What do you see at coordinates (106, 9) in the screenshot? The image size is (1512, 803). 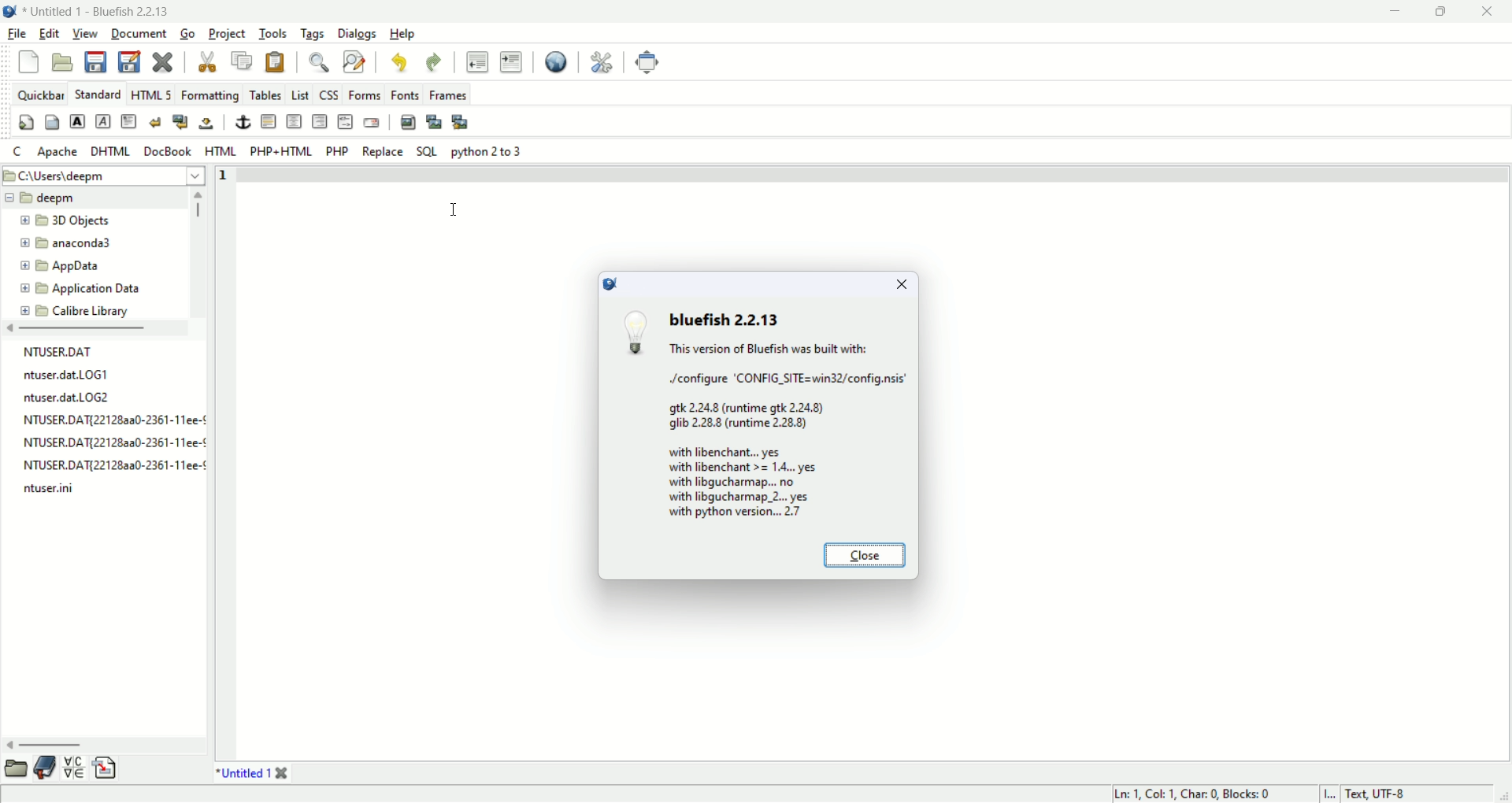 I see `document name` at bounding box center [106, 9].